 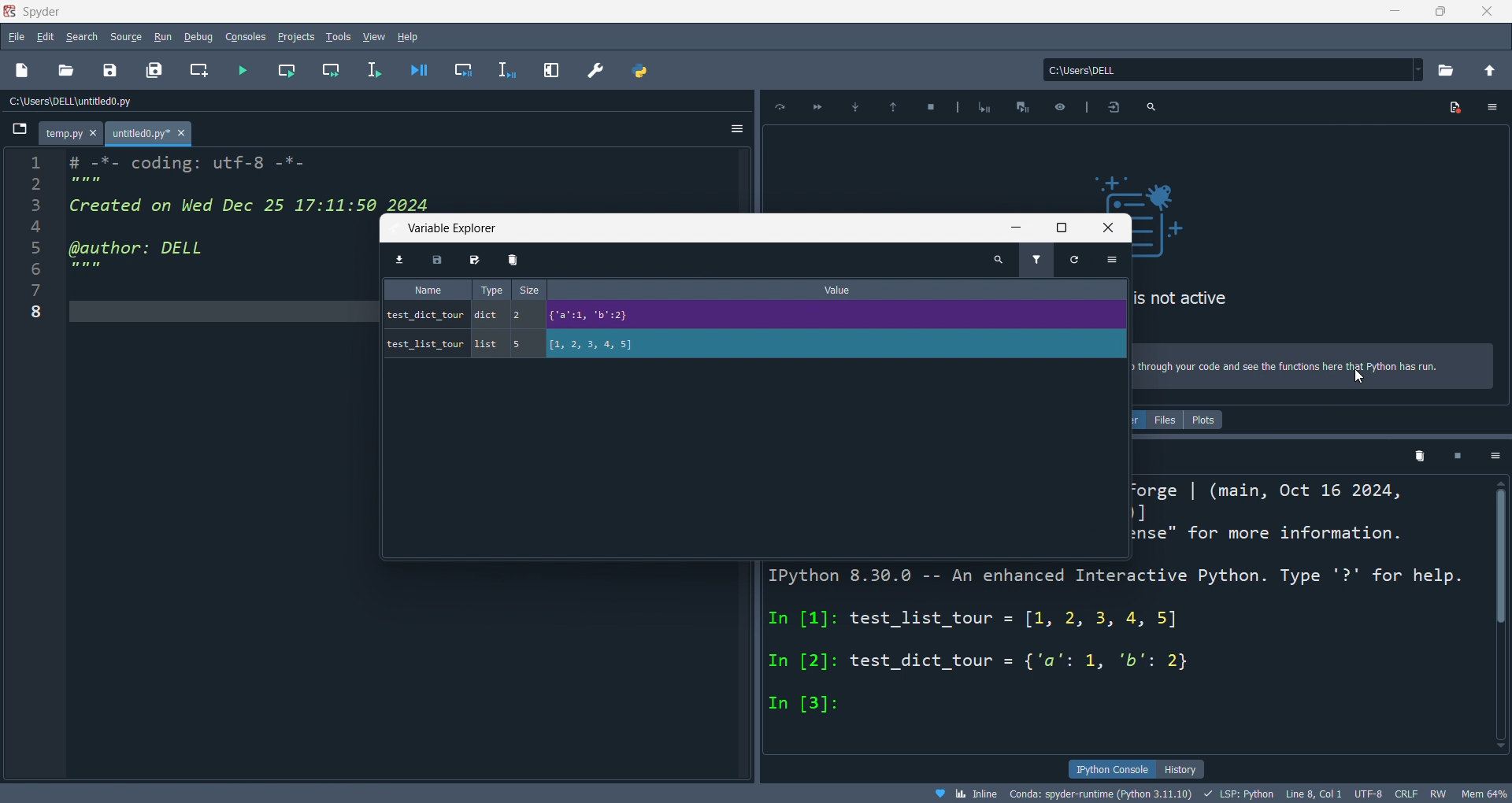 What do you see at coordinates (1421, 457) in the screenshot?
I see `delete` at bounding box center [1421, 457].